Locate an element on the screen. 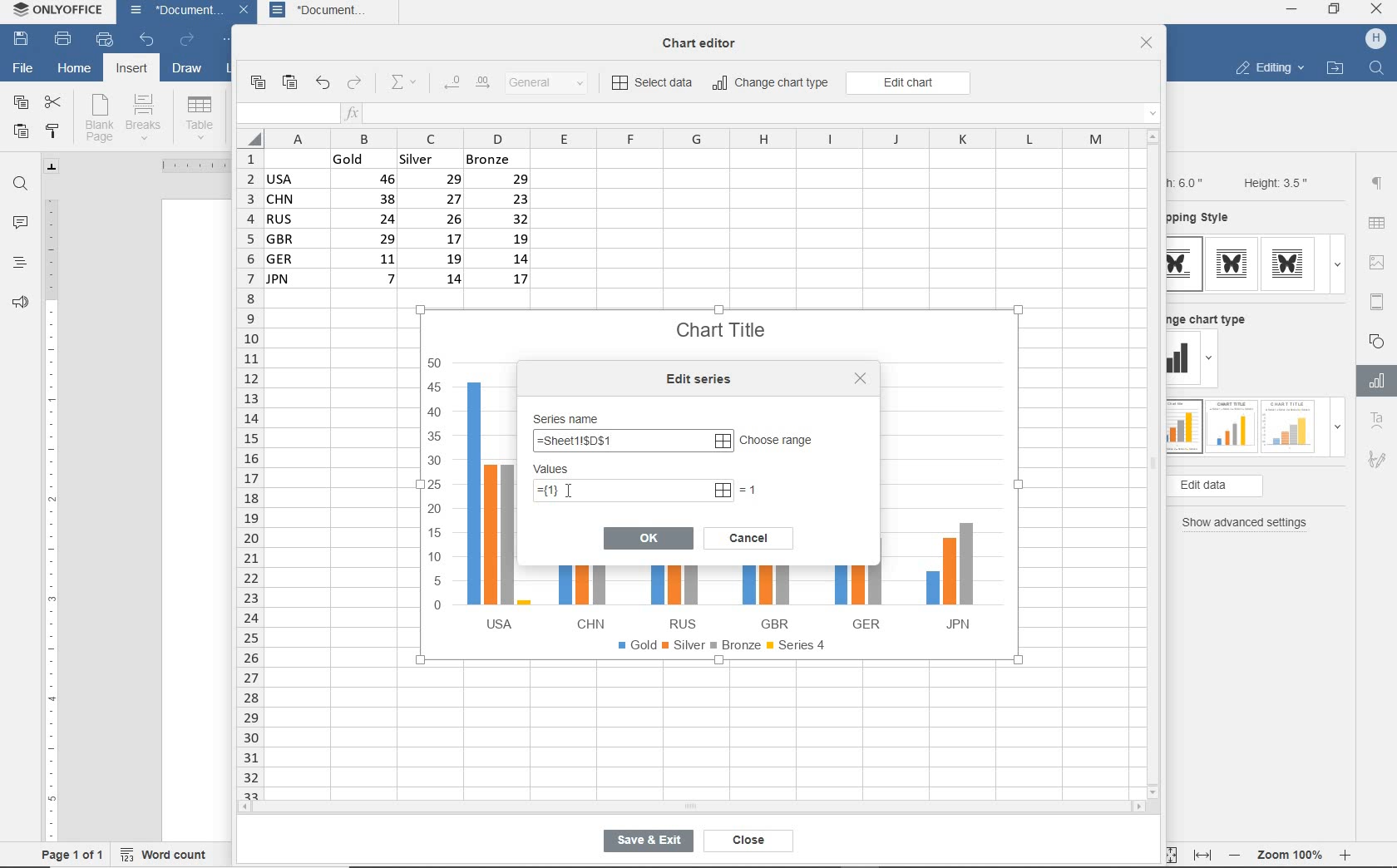 The image size is (1397, 868). search is located at coordinates (1379, 67).